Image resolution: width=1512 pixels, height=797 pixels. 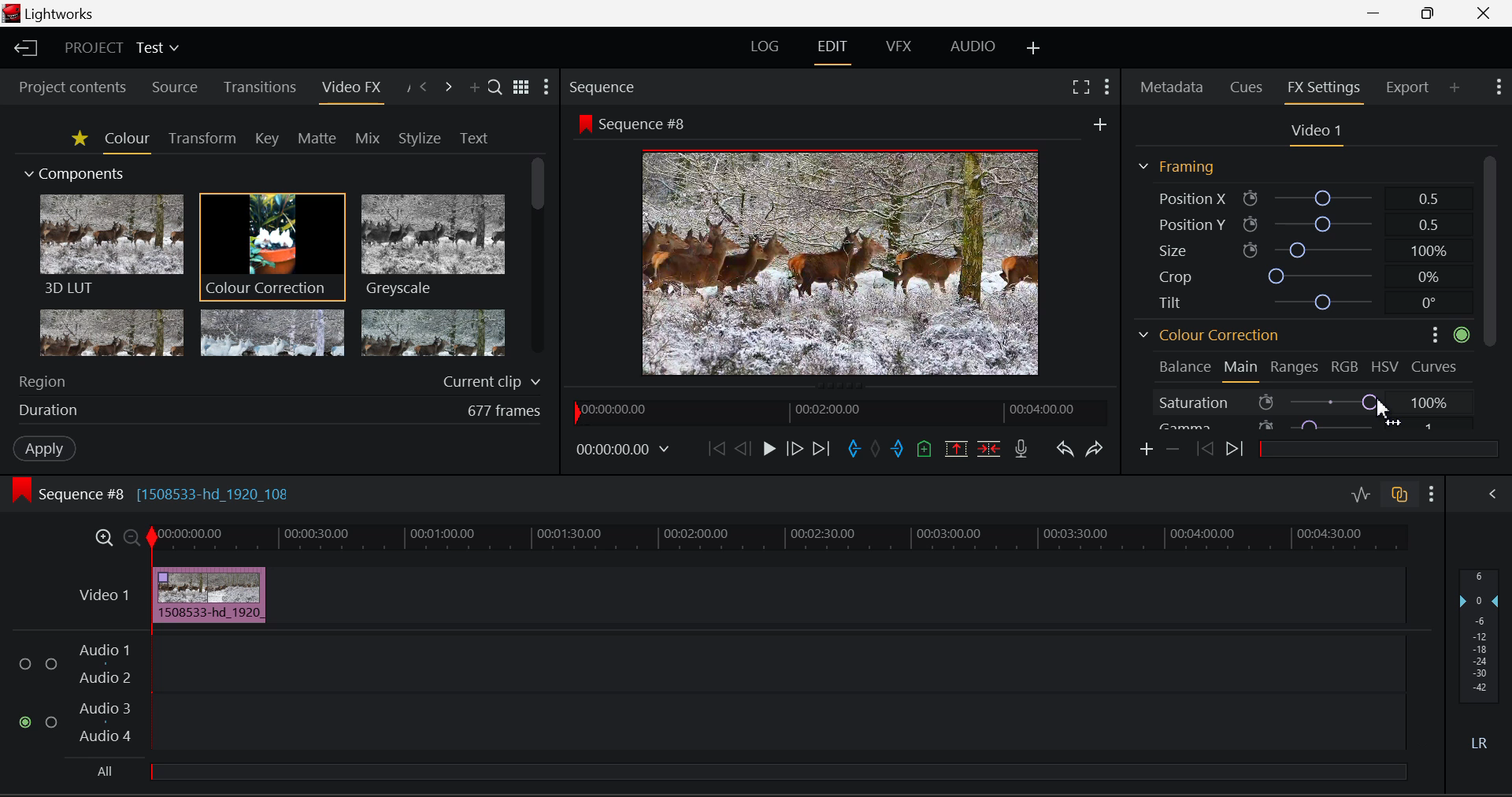 What do you see at coordinates (1295, 369) in the screenshot?
I see `Ranges` at bounding box center [1295, 369].